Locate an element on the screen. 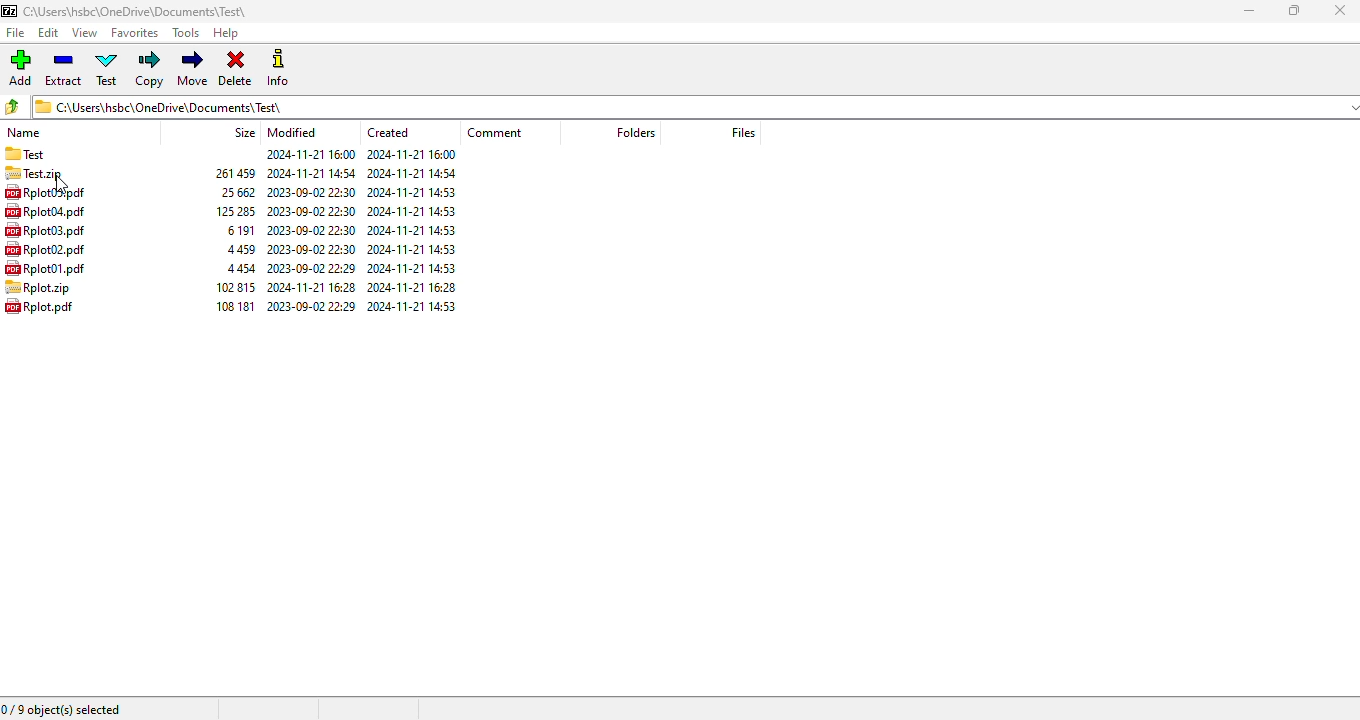  modified date & time is located at coordinates (310, 173).